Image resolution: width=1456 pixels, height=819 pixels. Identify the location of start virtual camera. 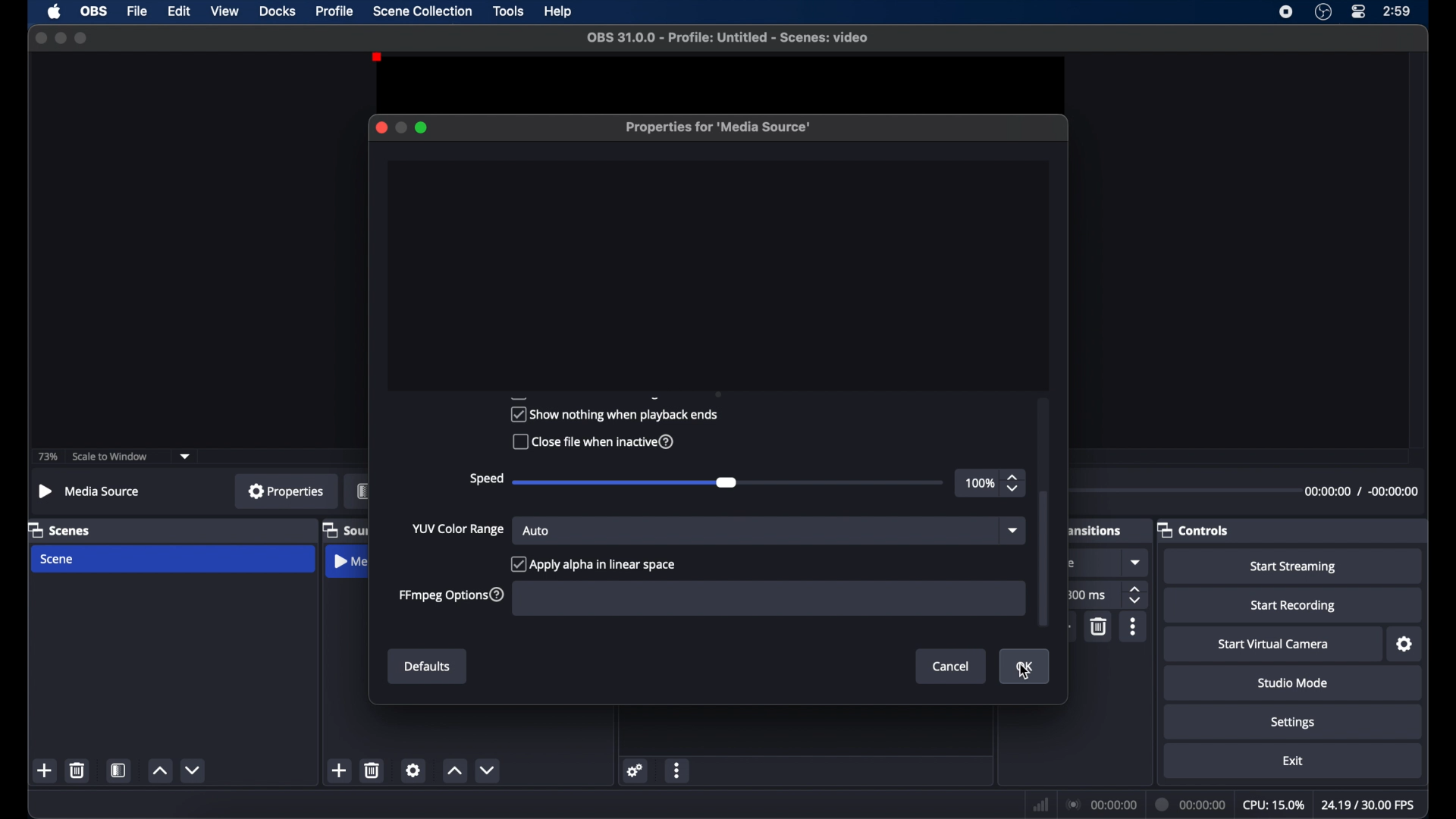
(1274, 645).